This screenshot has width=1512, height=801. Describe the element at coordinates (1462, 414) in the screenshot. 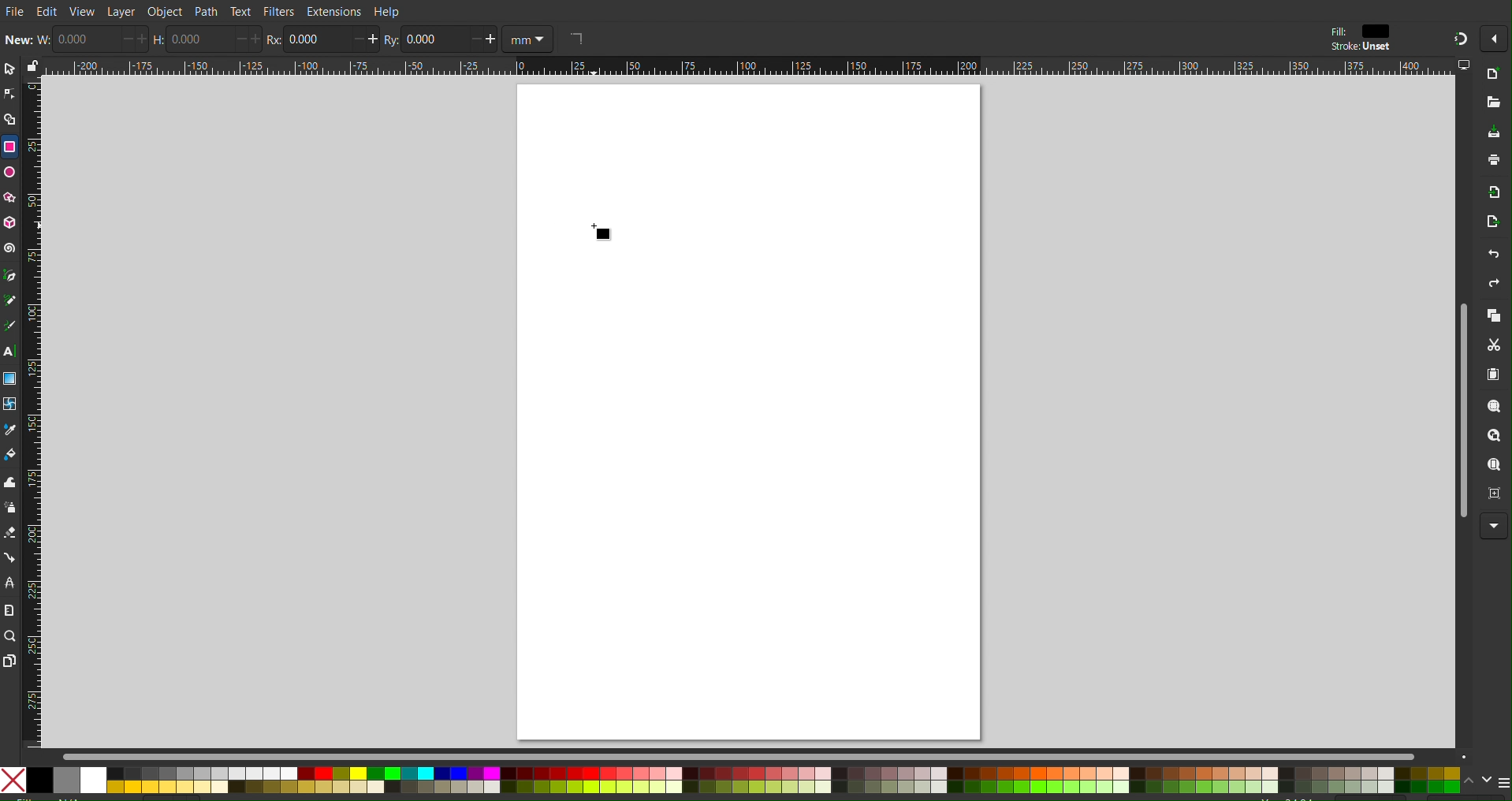

I see `Scrollbar` at that location.